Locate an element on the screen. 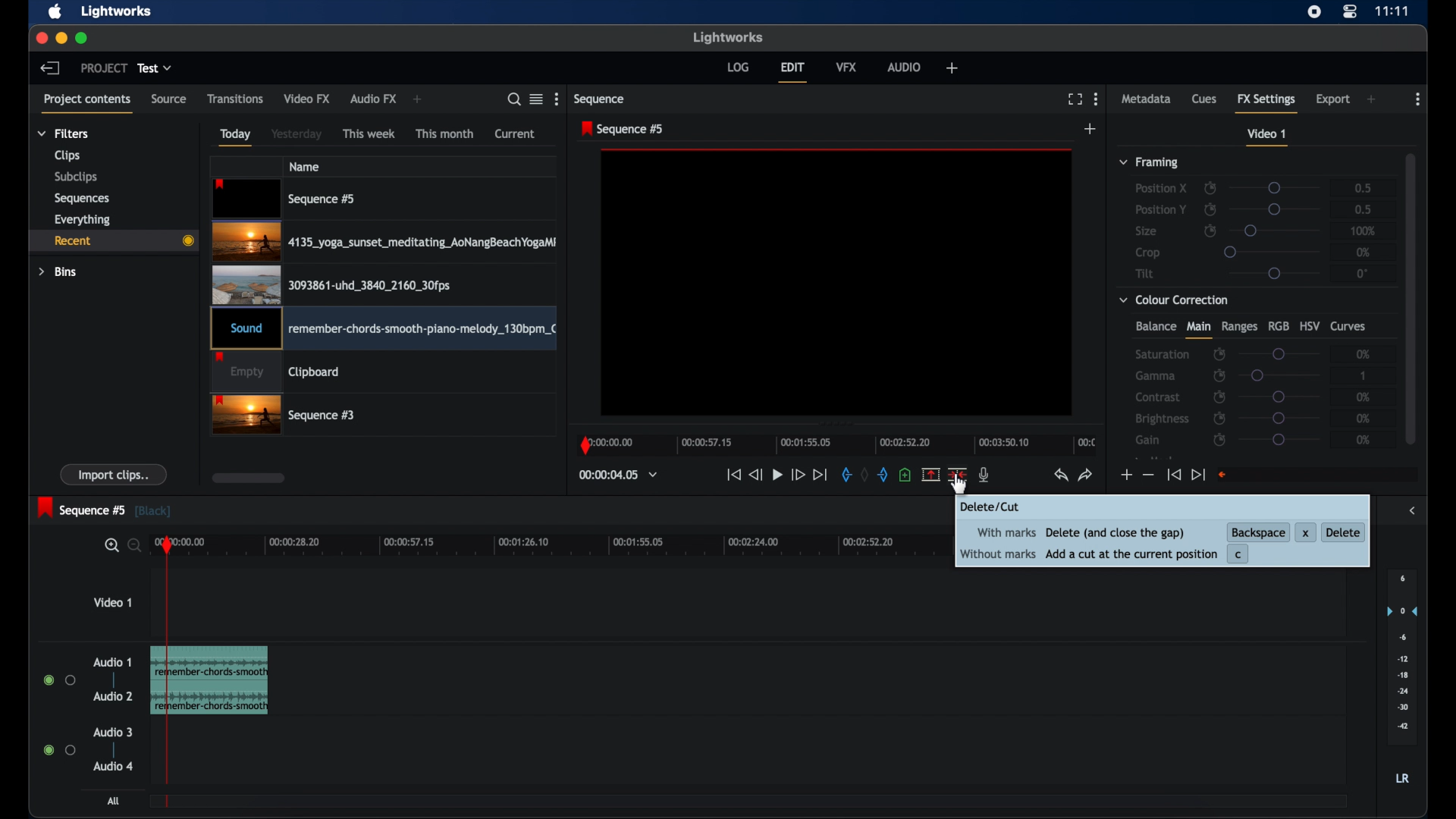 The width and height of the screenshot is (1456, 819). cursor is located at coordinates (956, 491).